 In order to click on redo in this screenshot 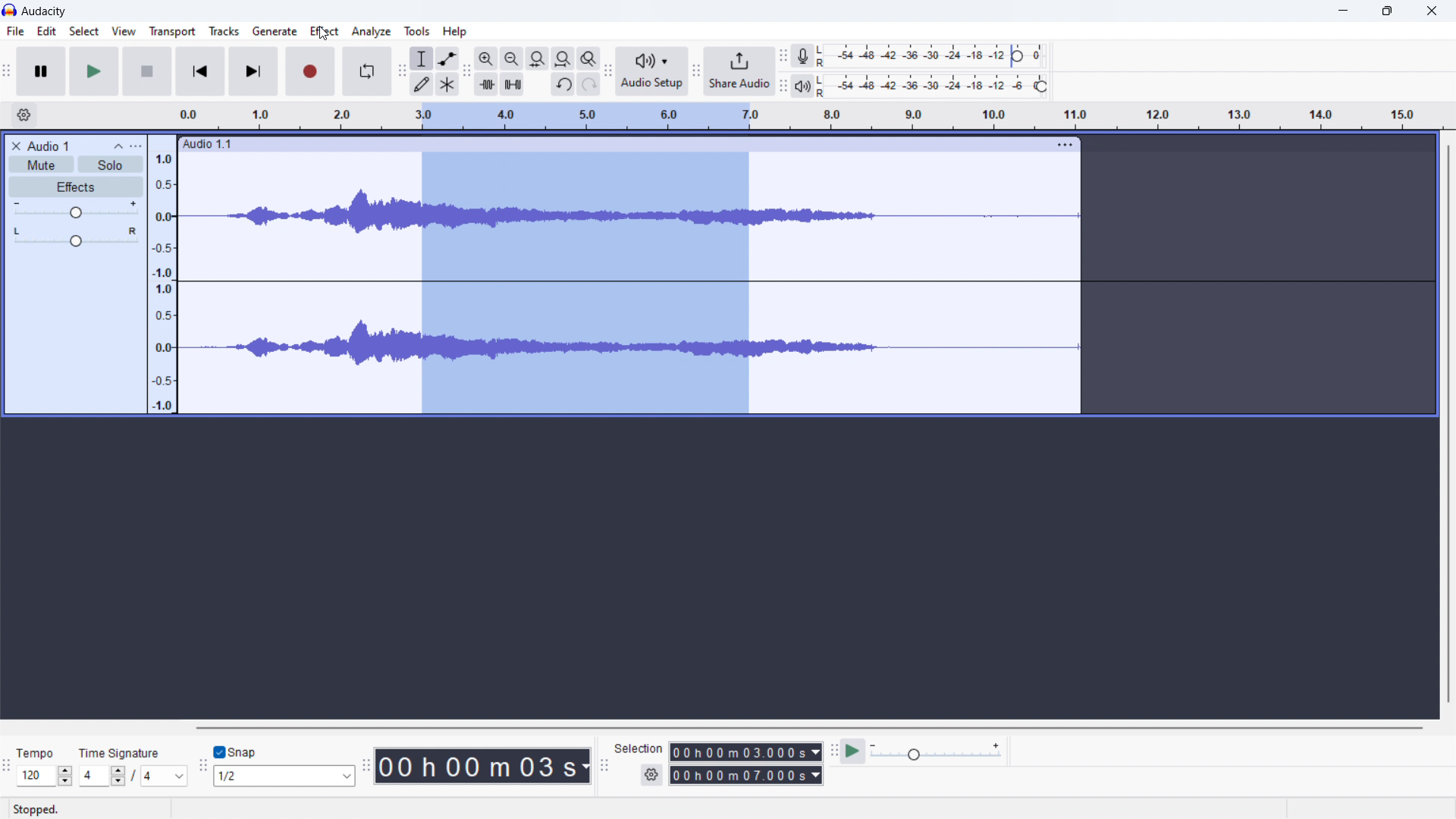, I will do `click(589, 83)`.